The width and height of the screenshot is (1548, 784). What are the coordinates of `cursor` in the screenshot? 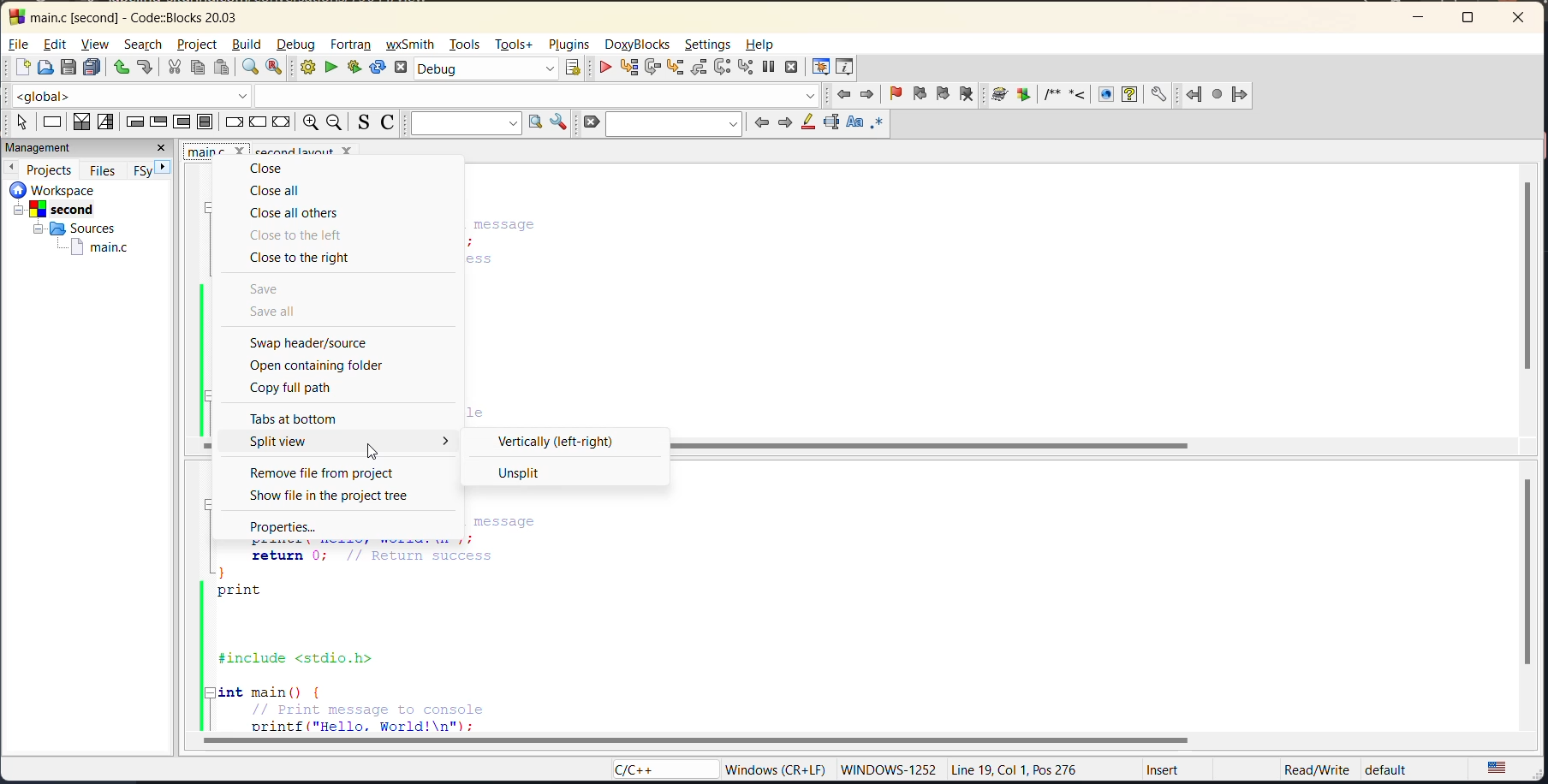 It's located at (372, 451).